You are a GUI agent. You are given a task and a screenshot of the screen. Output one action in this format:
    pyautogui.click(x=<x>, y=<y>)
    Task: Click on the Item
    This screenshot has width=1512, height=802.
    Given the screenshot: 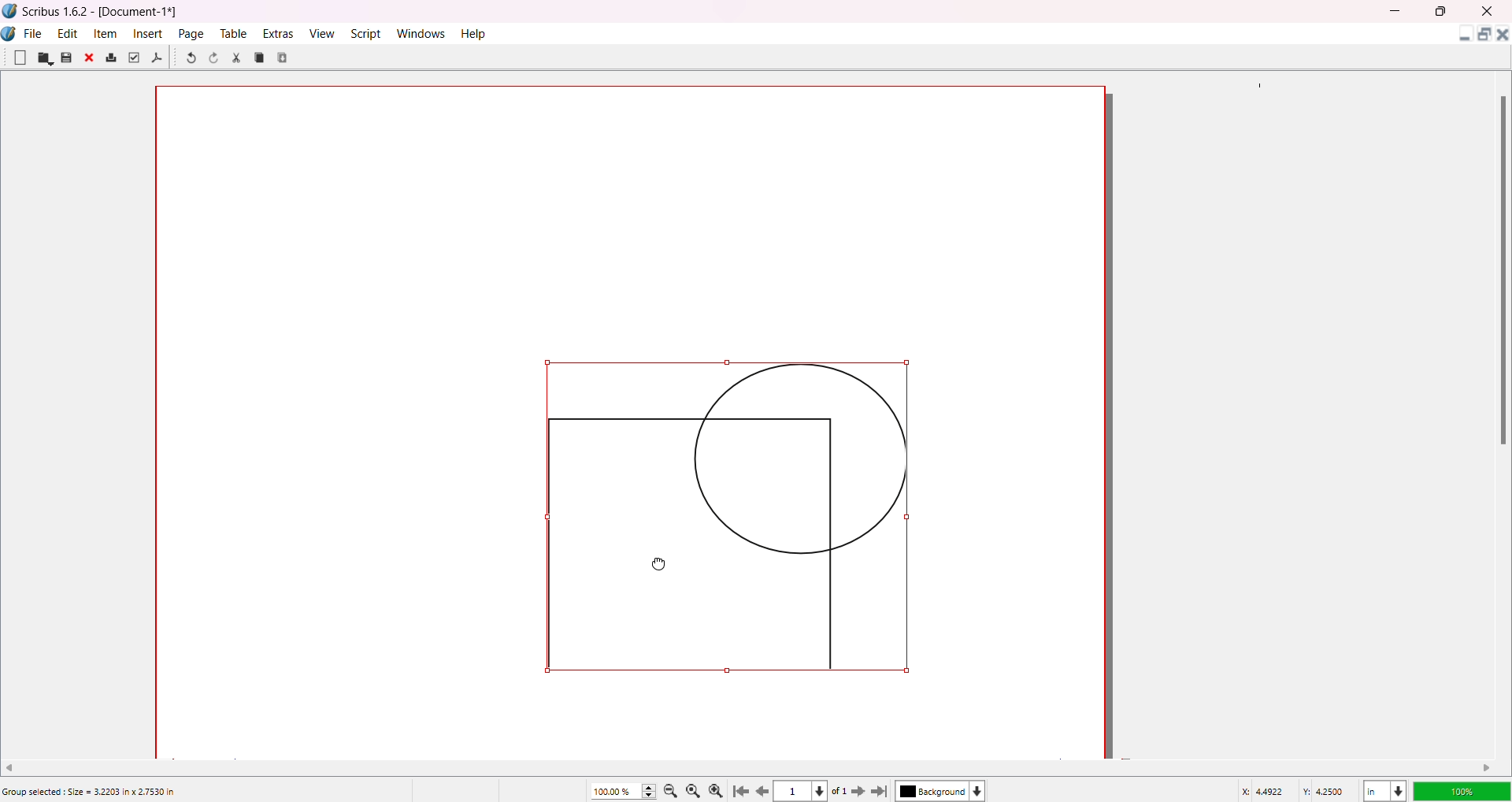 What is the action you would take?
    pyautogui.click(x=107, y=33)
    